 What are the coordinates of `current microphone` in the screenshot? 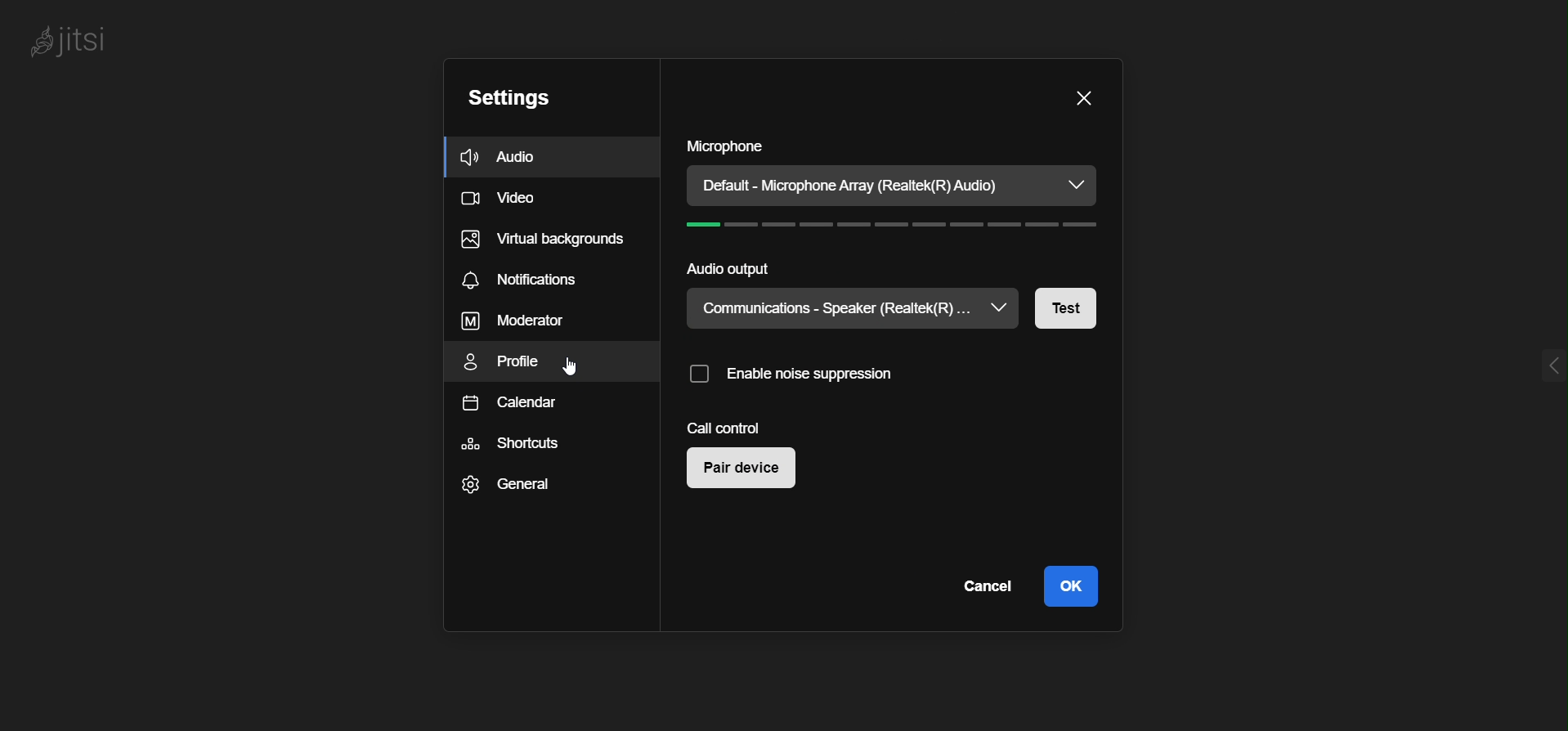 It's located at (863, 184).